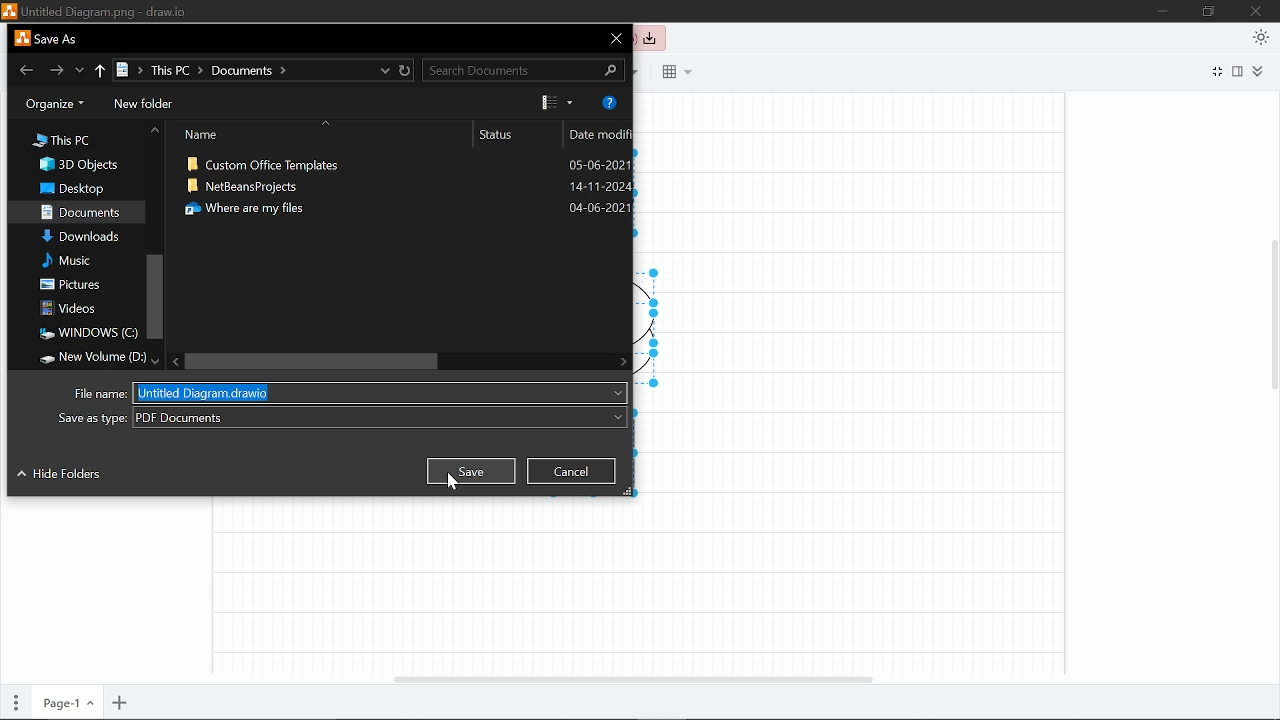  What do you see at coordinates (60, 139) in the screenshot?
I see `This PC` at bounding box center [60, 139].